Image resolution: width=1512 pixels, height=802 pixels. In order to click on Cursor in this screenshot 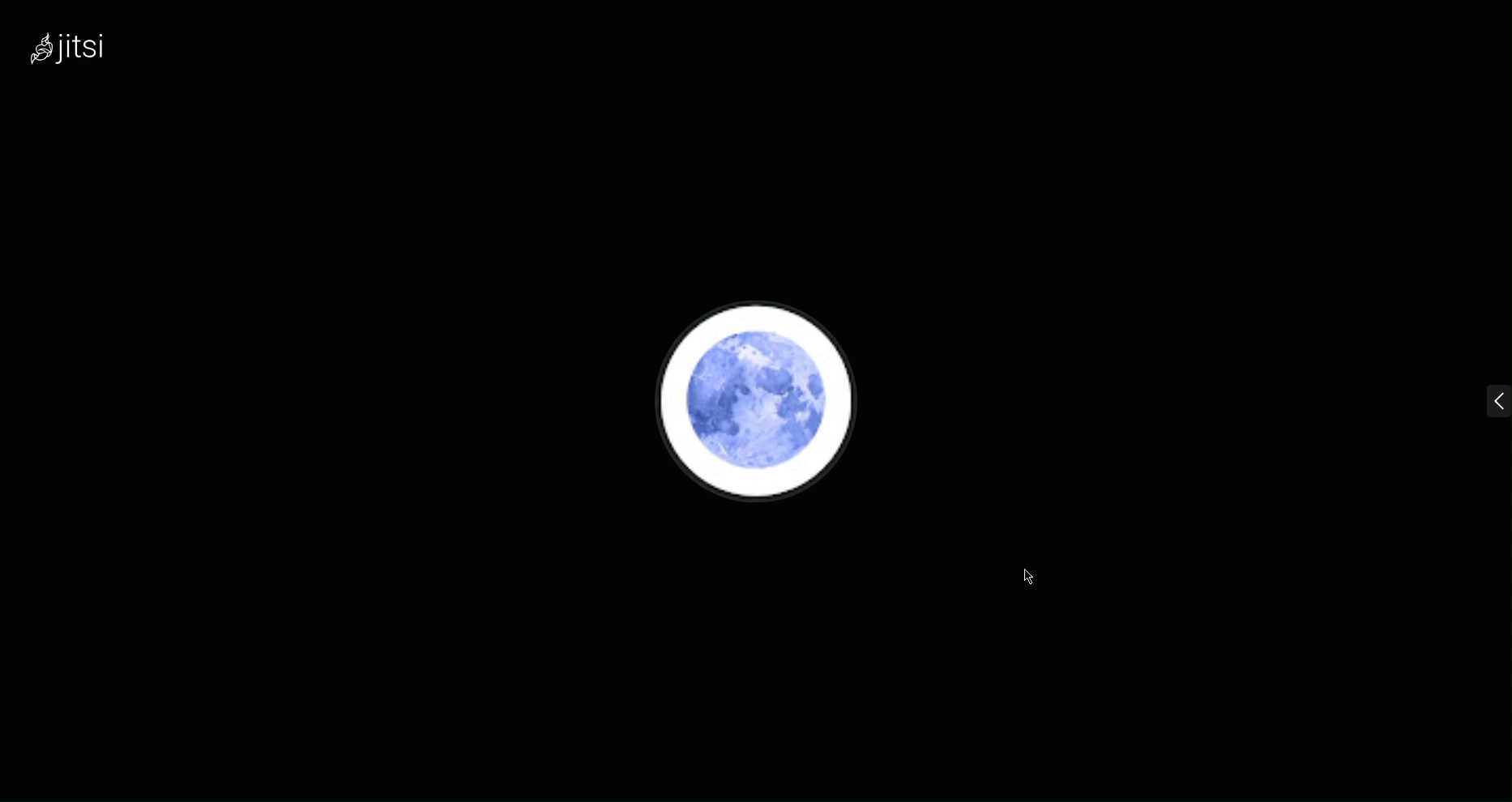, I will do `click(1026, 577)`.